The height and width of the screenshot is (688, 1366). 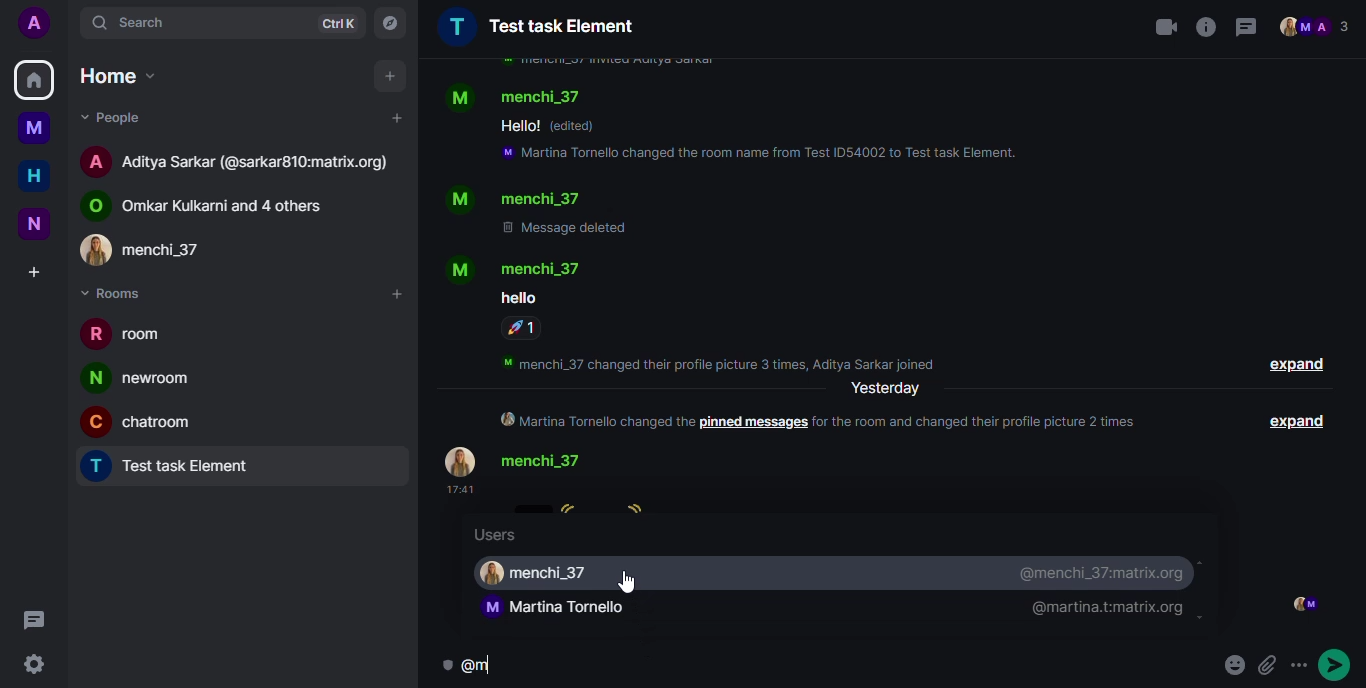 I want to click on user, so click(x=543, y=573).